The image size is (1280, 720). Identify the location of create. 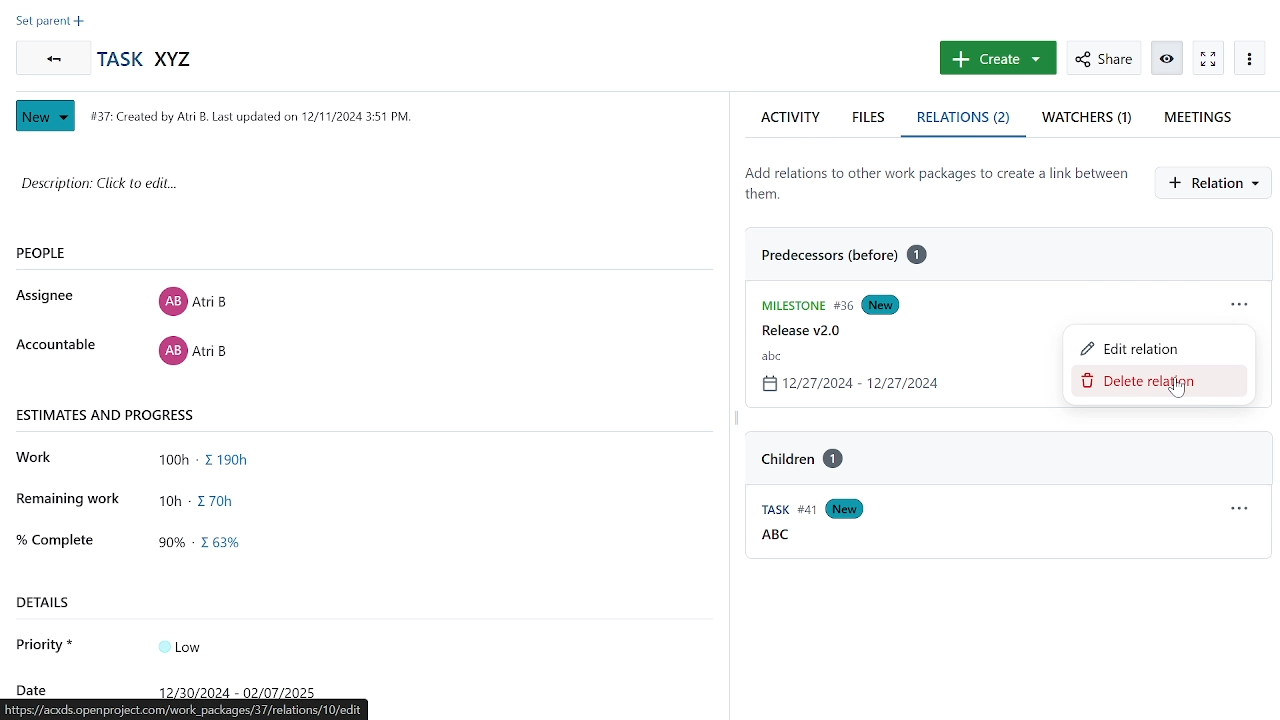
(996, 58).